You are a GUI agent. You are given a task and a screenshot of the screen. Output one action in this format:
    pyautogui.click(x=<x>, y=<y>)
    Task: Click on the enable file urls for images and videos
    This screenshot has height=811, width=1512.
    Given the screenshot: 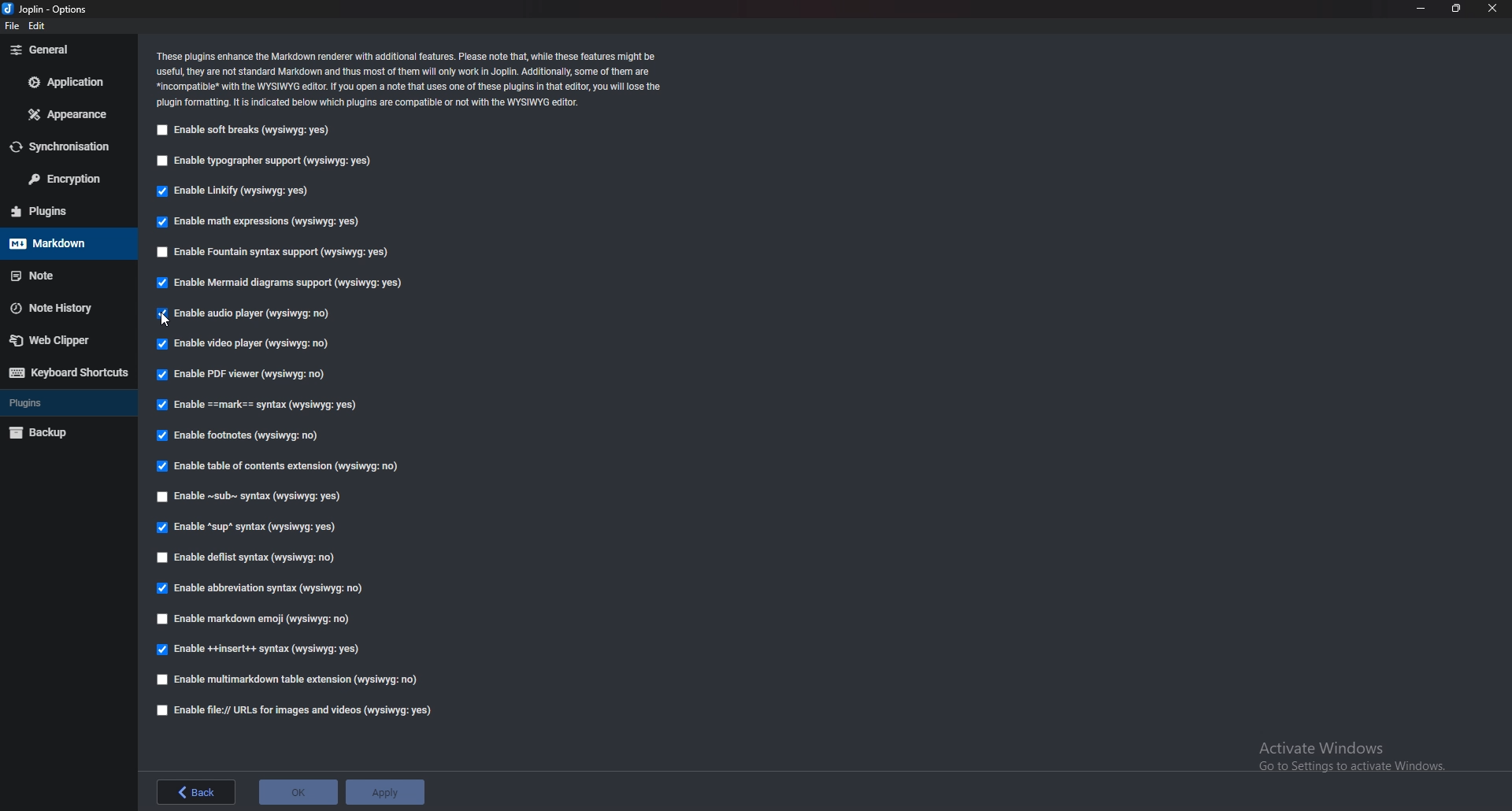 What is the action you would take?
    pyautogui.click(x=299, y=710)
    